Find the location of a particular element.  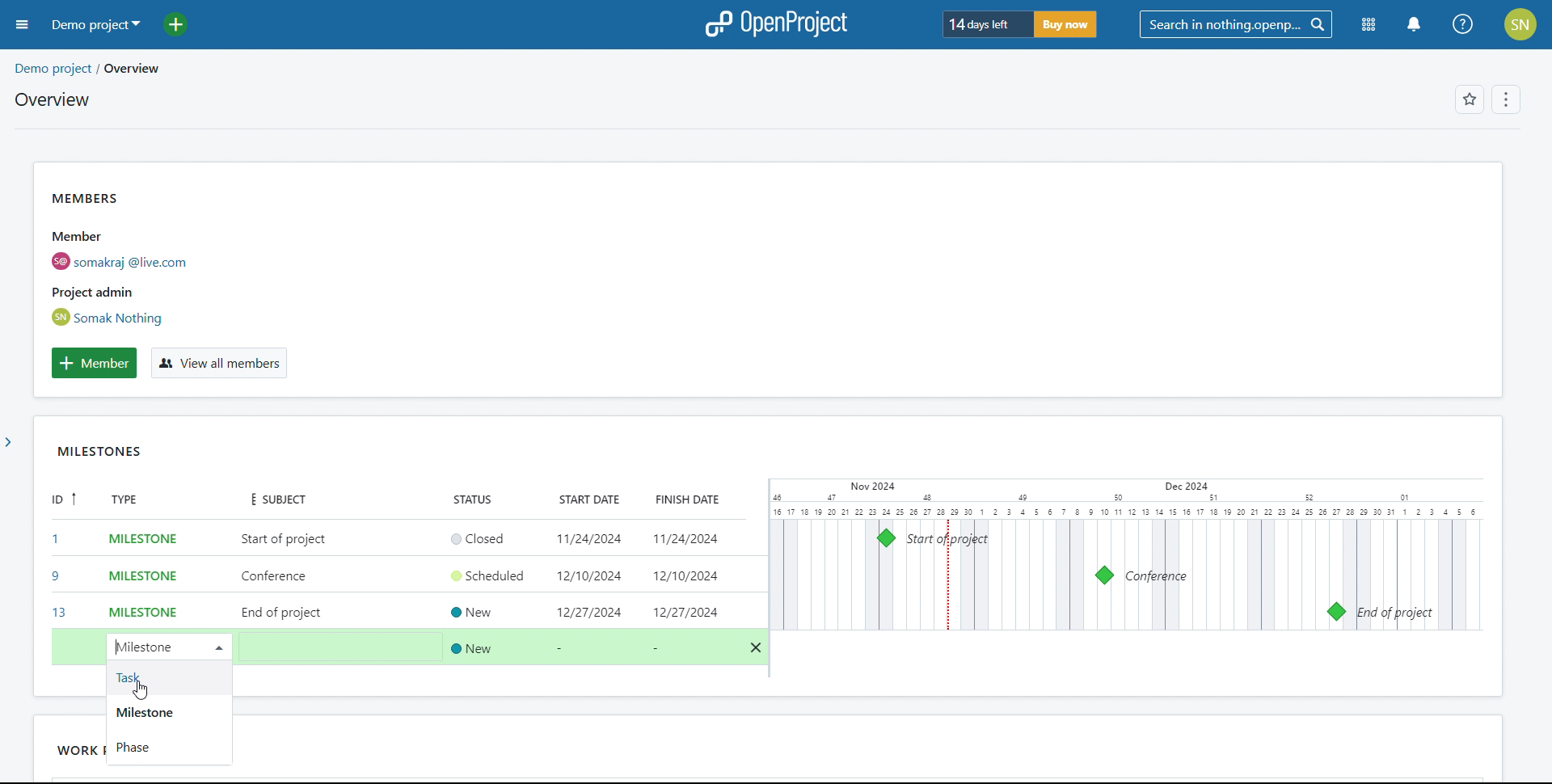

notification is located at coordinates (1413, 25).